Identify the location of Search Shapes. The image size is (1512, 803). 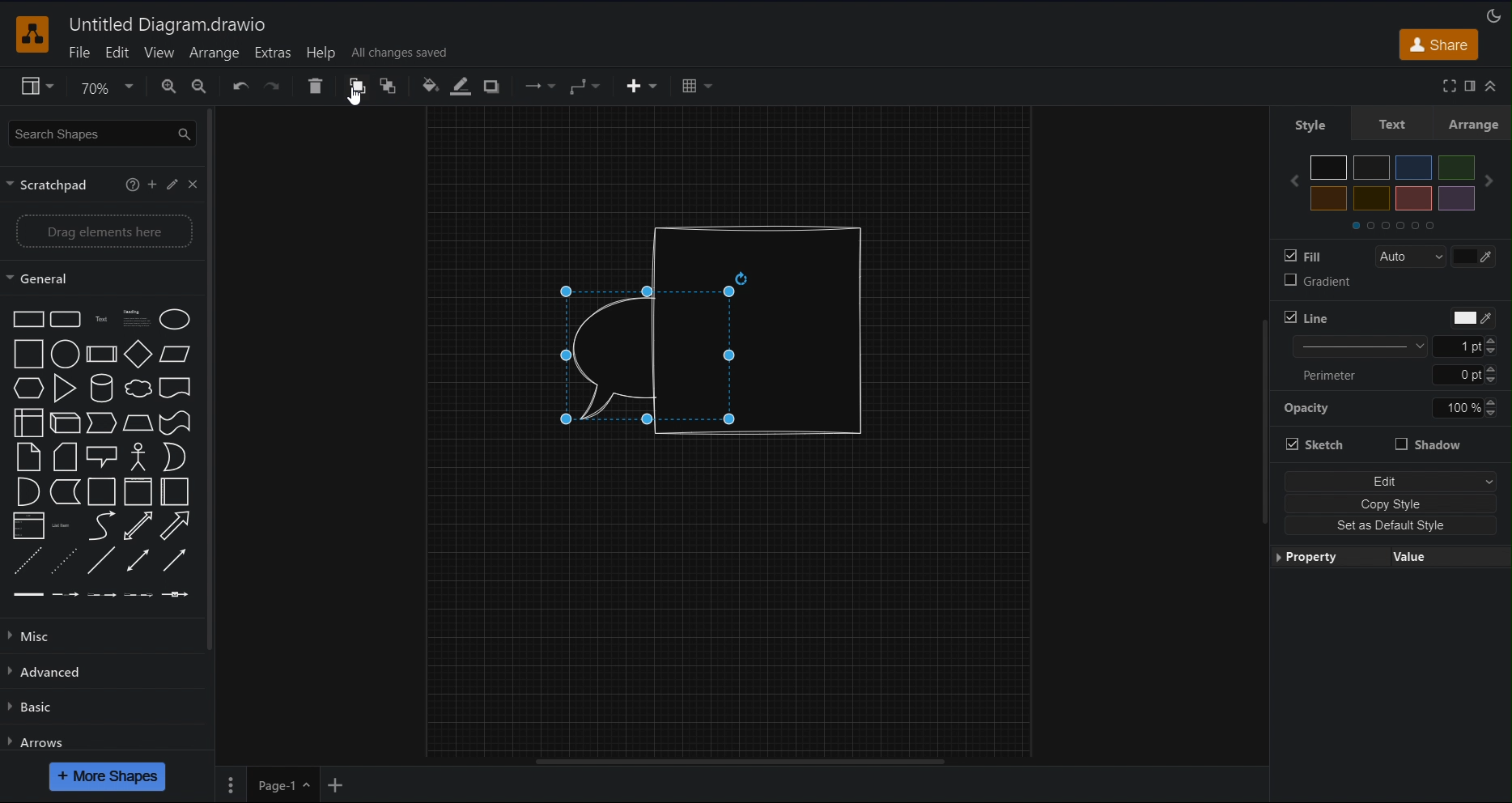
(102, 134).